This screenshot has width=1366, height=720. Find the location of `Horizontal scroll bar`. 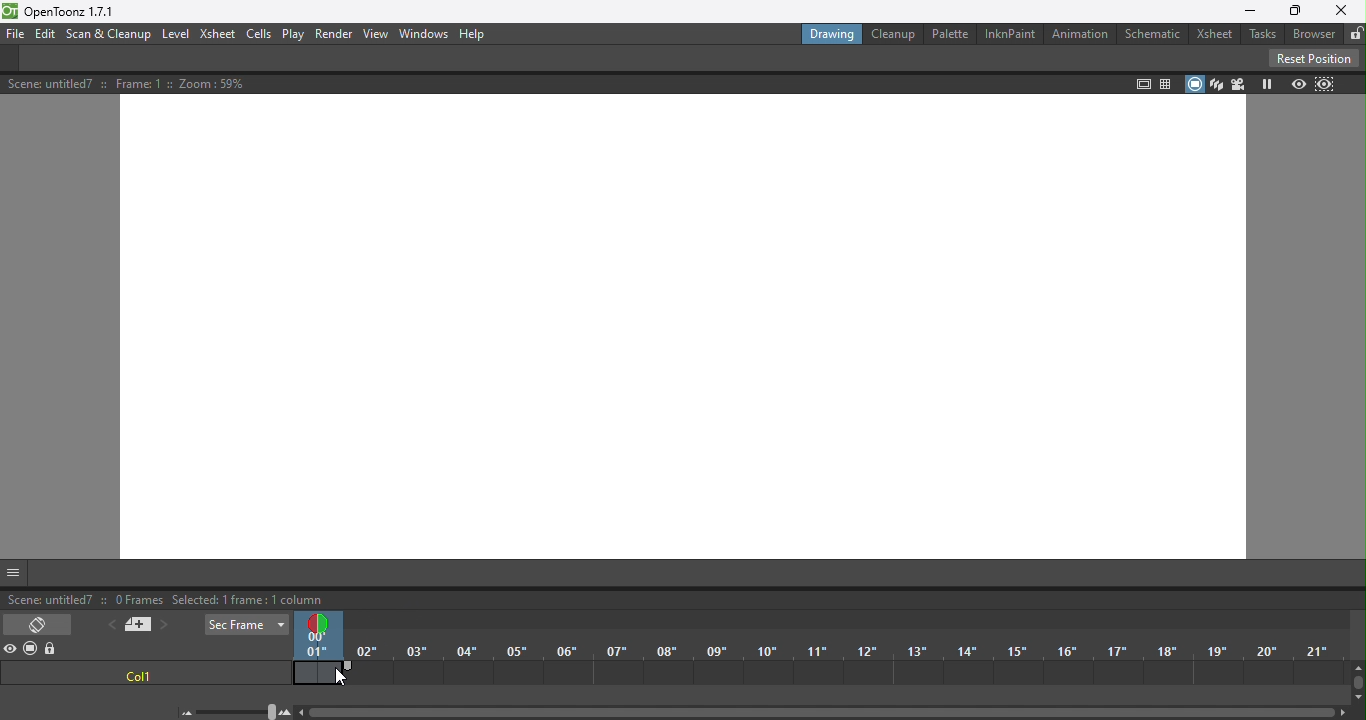

Horizontal scroll bar is located at coordinates (827, 711).